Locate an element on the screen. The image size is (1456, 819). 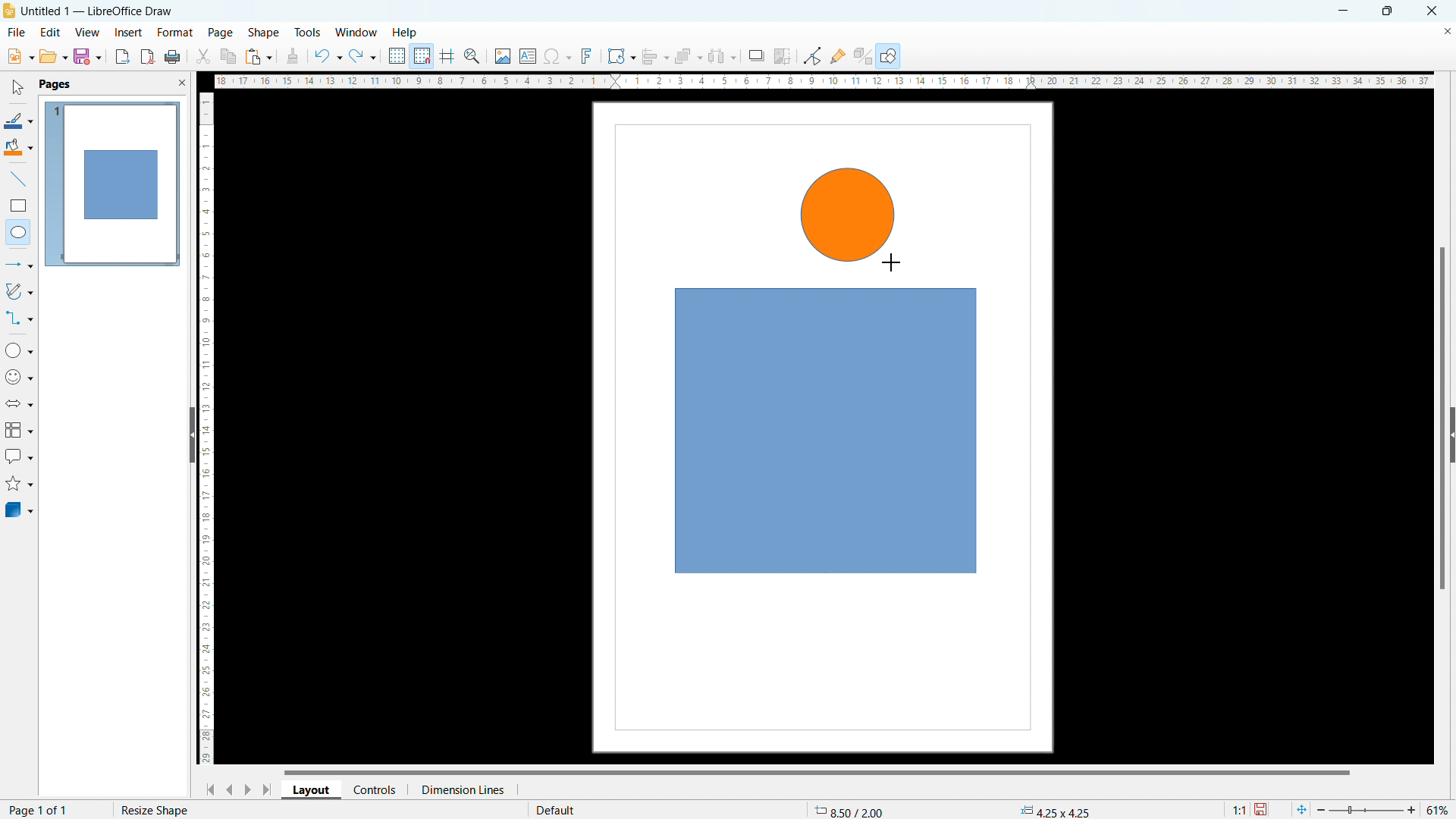
current zoom level is located at coordinates (1439, 810).